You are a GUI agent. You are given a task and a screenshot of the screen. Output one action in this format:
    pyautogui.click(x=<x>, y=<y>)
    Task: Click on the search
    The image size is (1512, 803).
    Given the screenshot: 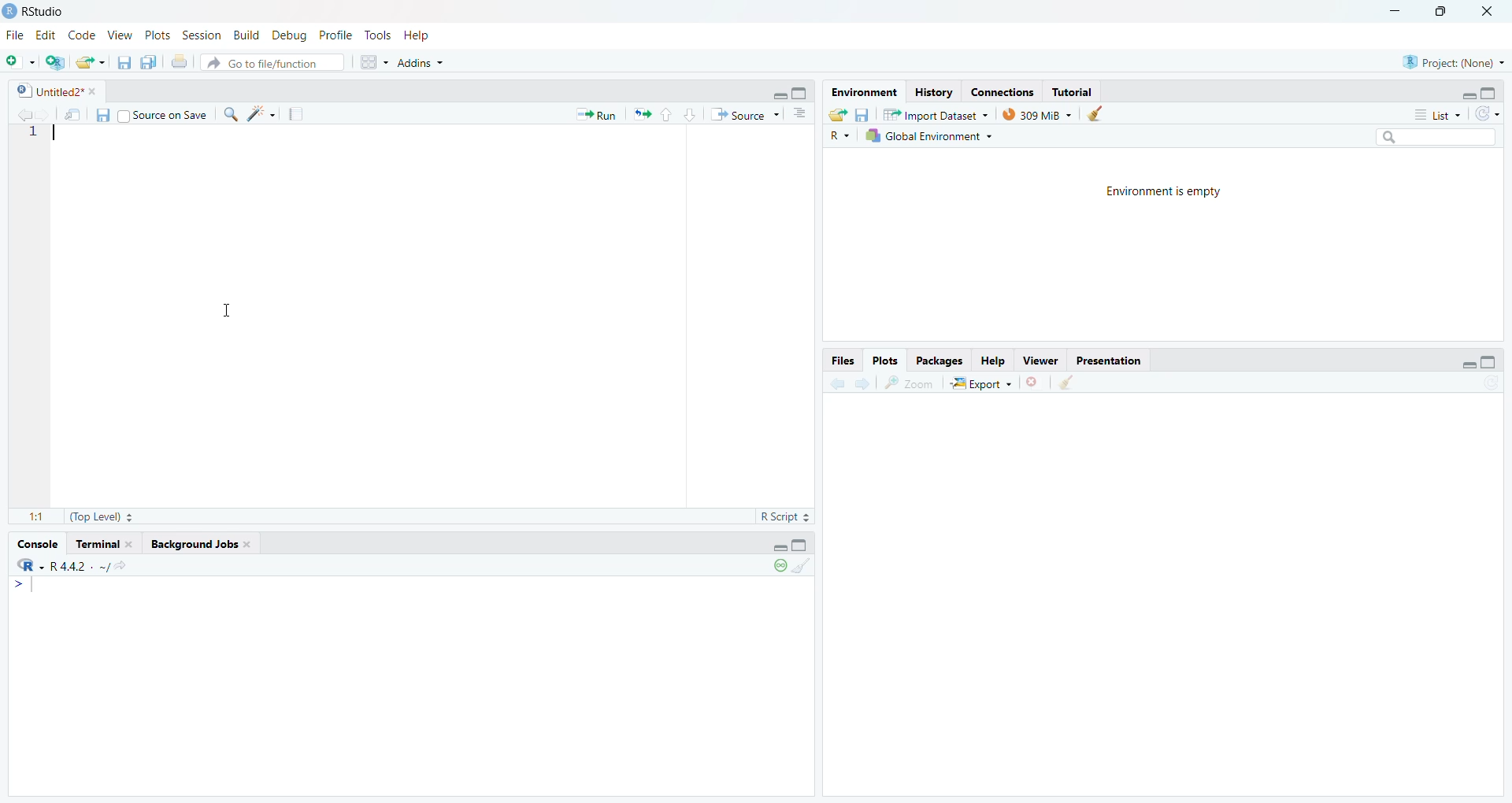 What is the action you would take?
    pyautogui.click(x=1440, y=135)
    